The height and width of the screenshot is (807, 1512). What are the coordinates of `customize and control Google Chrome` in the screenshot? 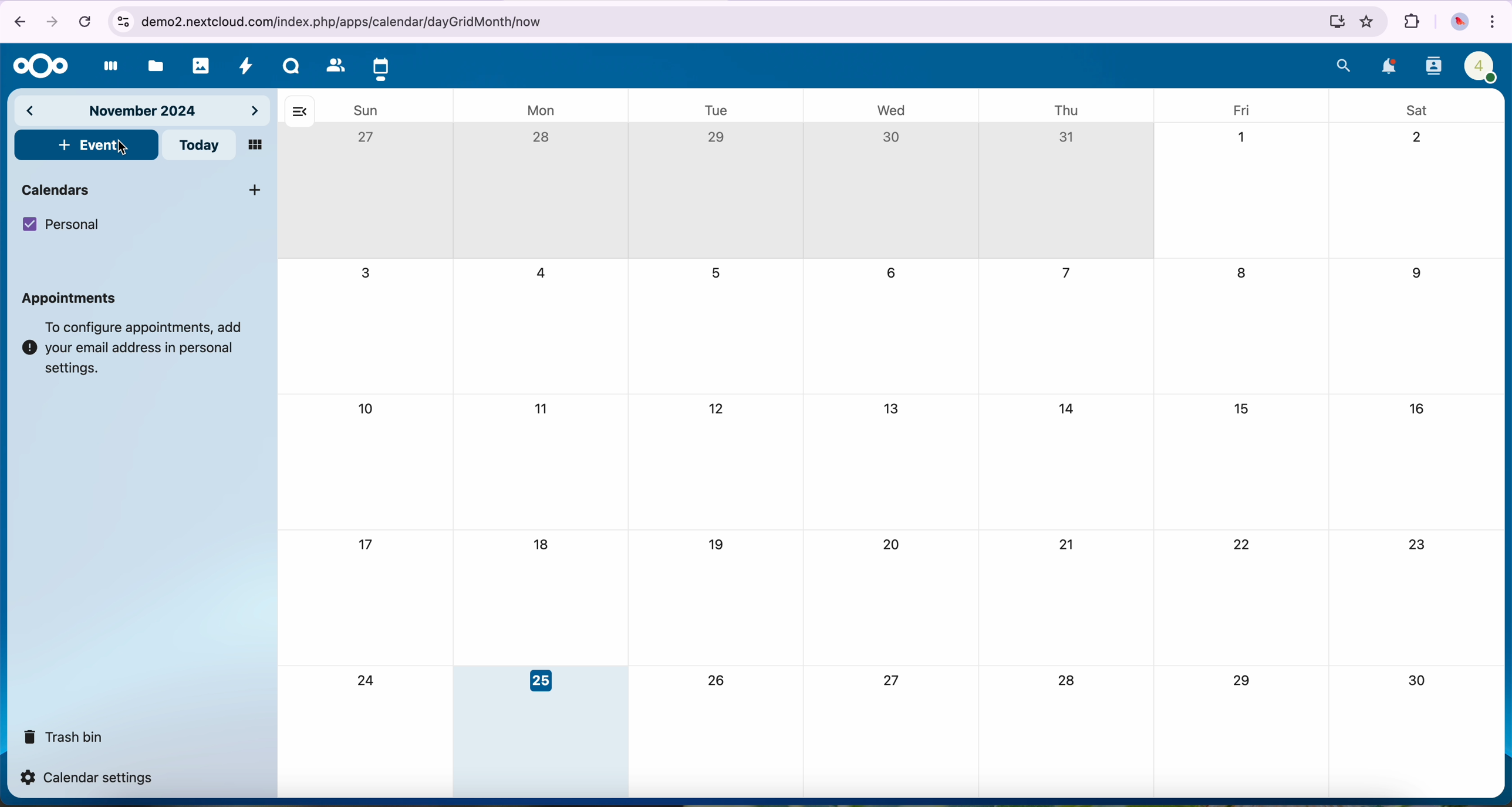 It's located at (1494, 21).